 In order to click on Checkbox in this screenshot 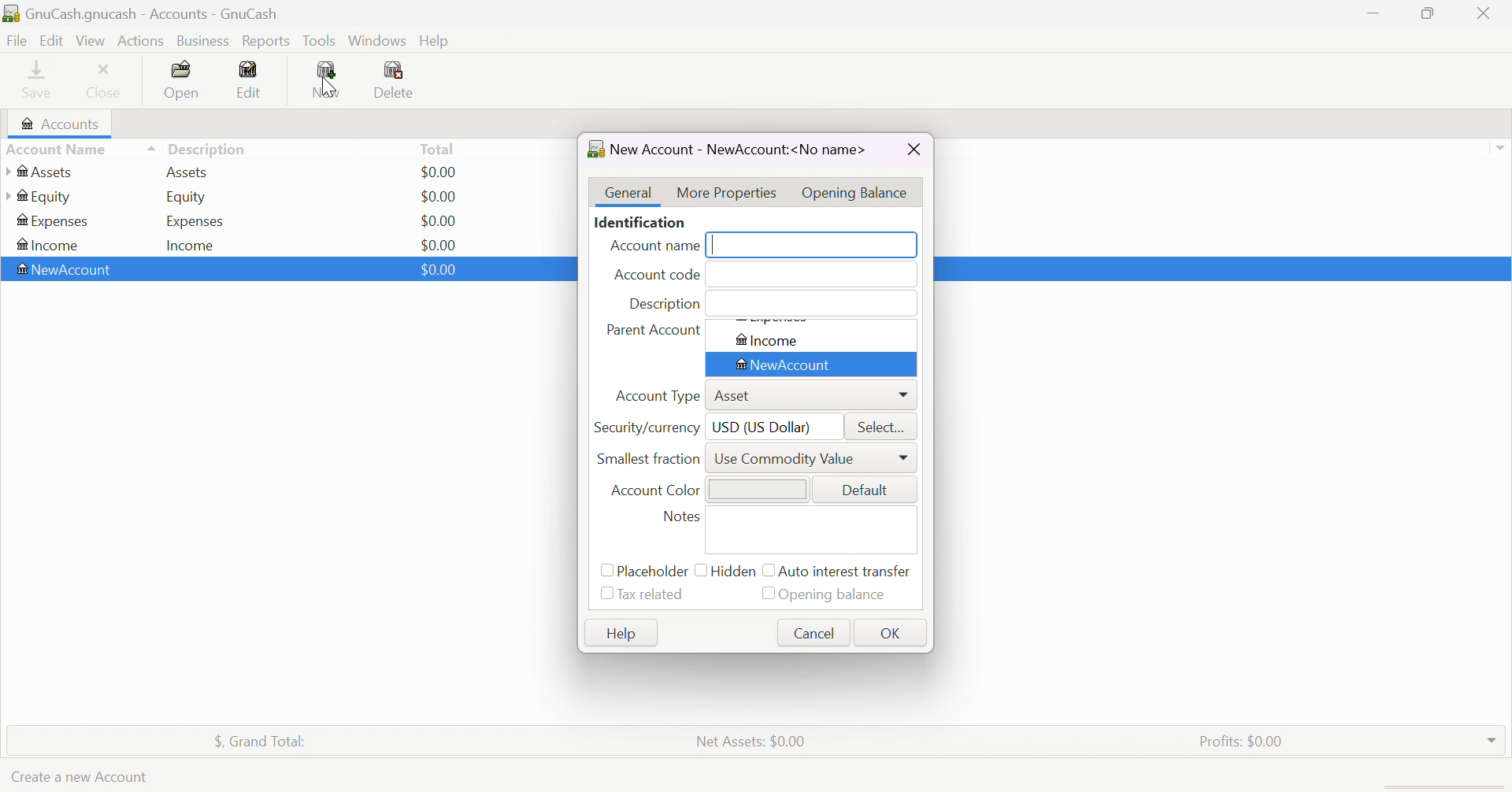, I will do `click(603, 596)`.